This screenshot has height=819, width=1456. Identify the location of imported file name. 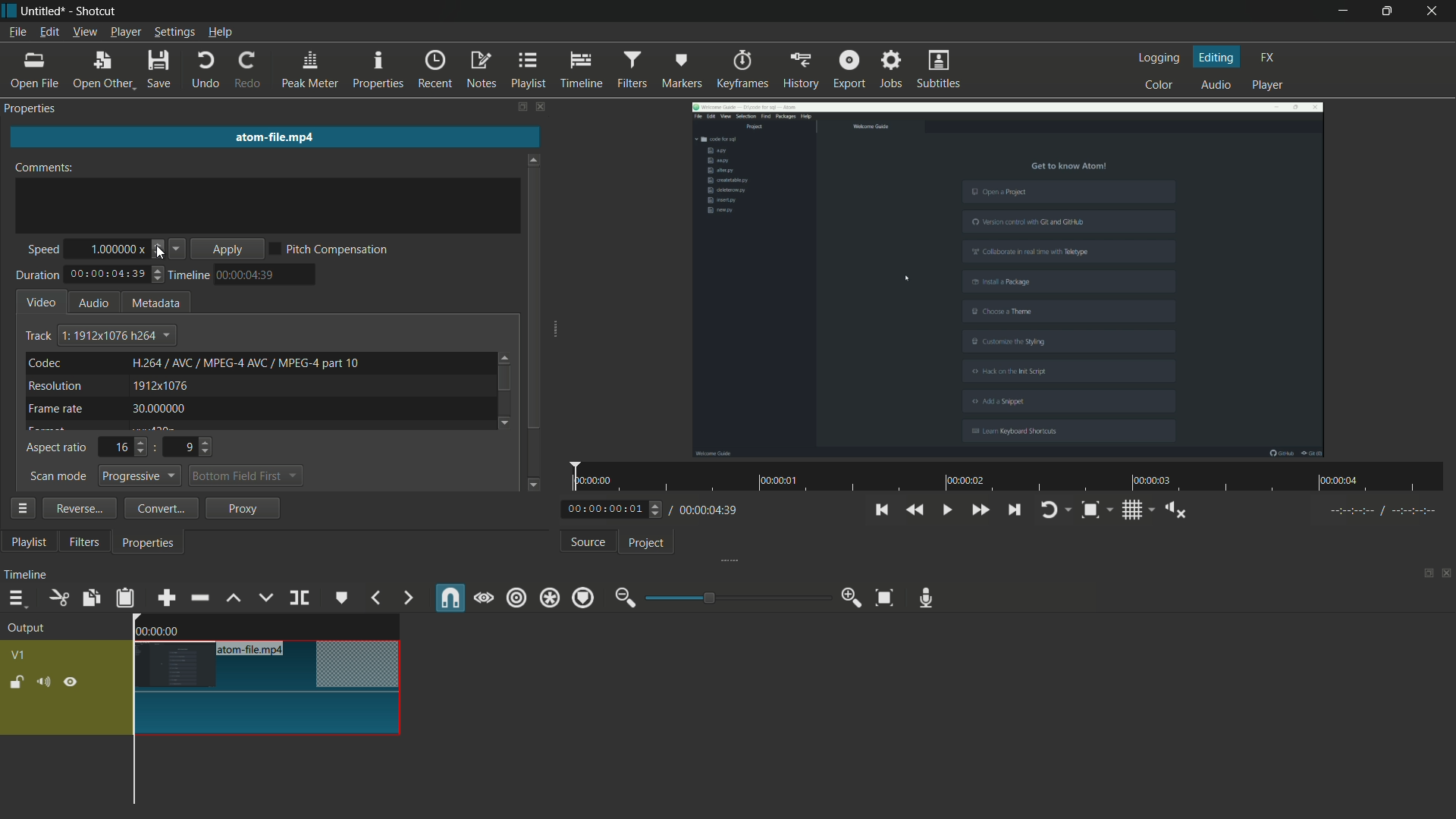
(275, 133).